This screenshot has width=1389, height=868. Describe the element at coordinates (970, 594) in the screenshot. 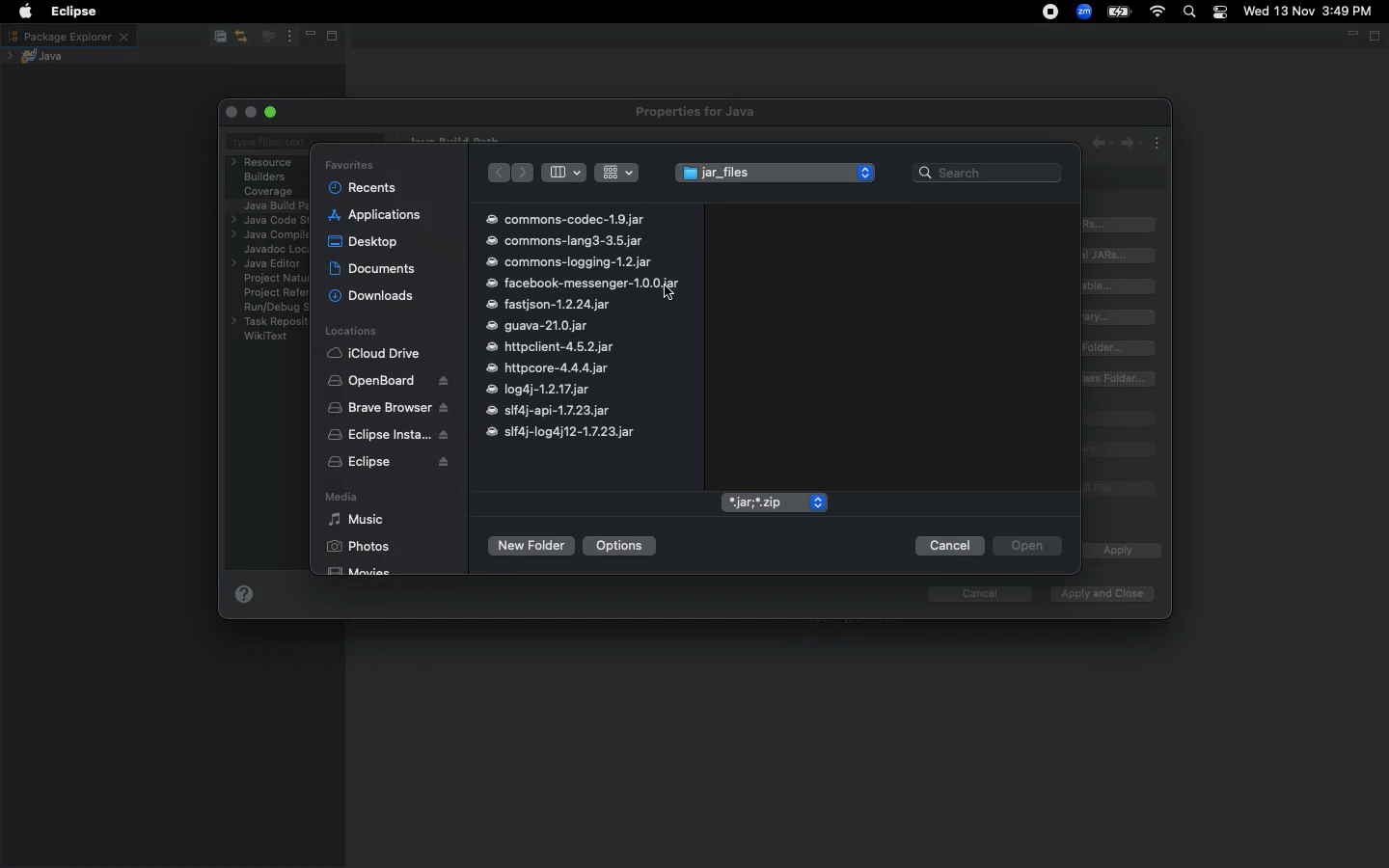

I see `cancel` at that location.